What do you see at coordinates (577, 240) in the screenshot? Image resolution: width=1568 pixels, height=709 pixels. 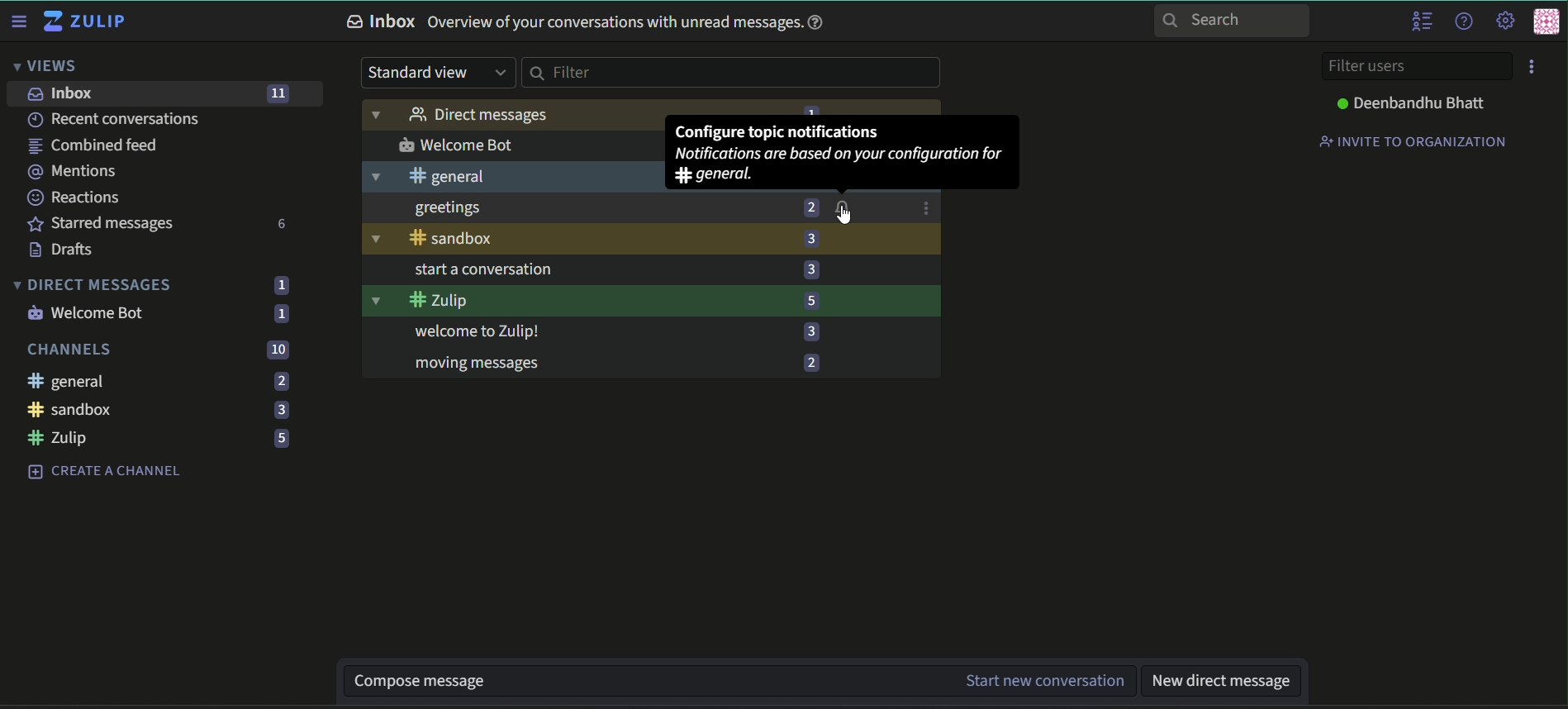 I see `sandbox` at bounding box center [577, 240].